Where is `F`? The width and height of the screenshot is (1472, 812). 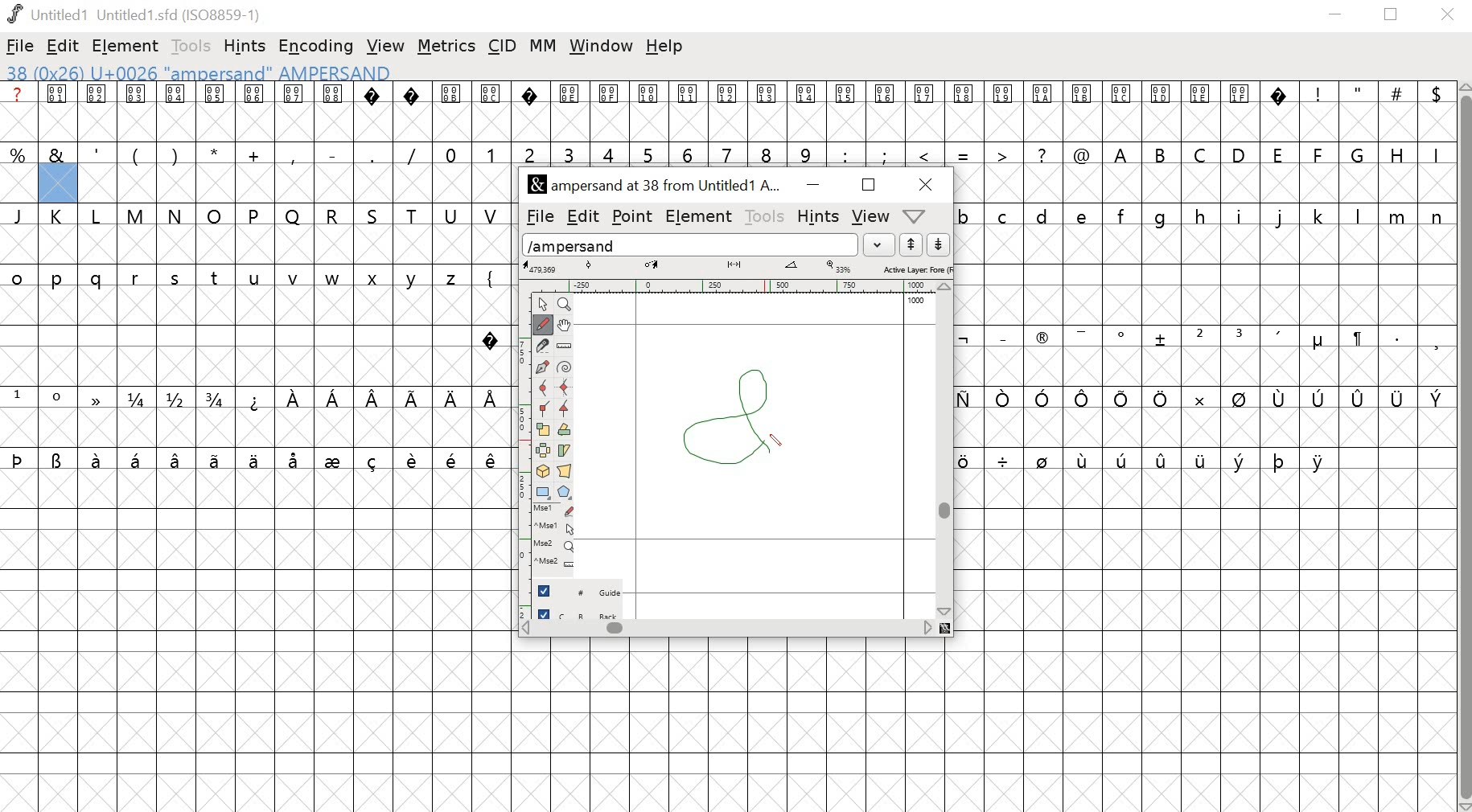
F is located at coordinates (1320, 154).